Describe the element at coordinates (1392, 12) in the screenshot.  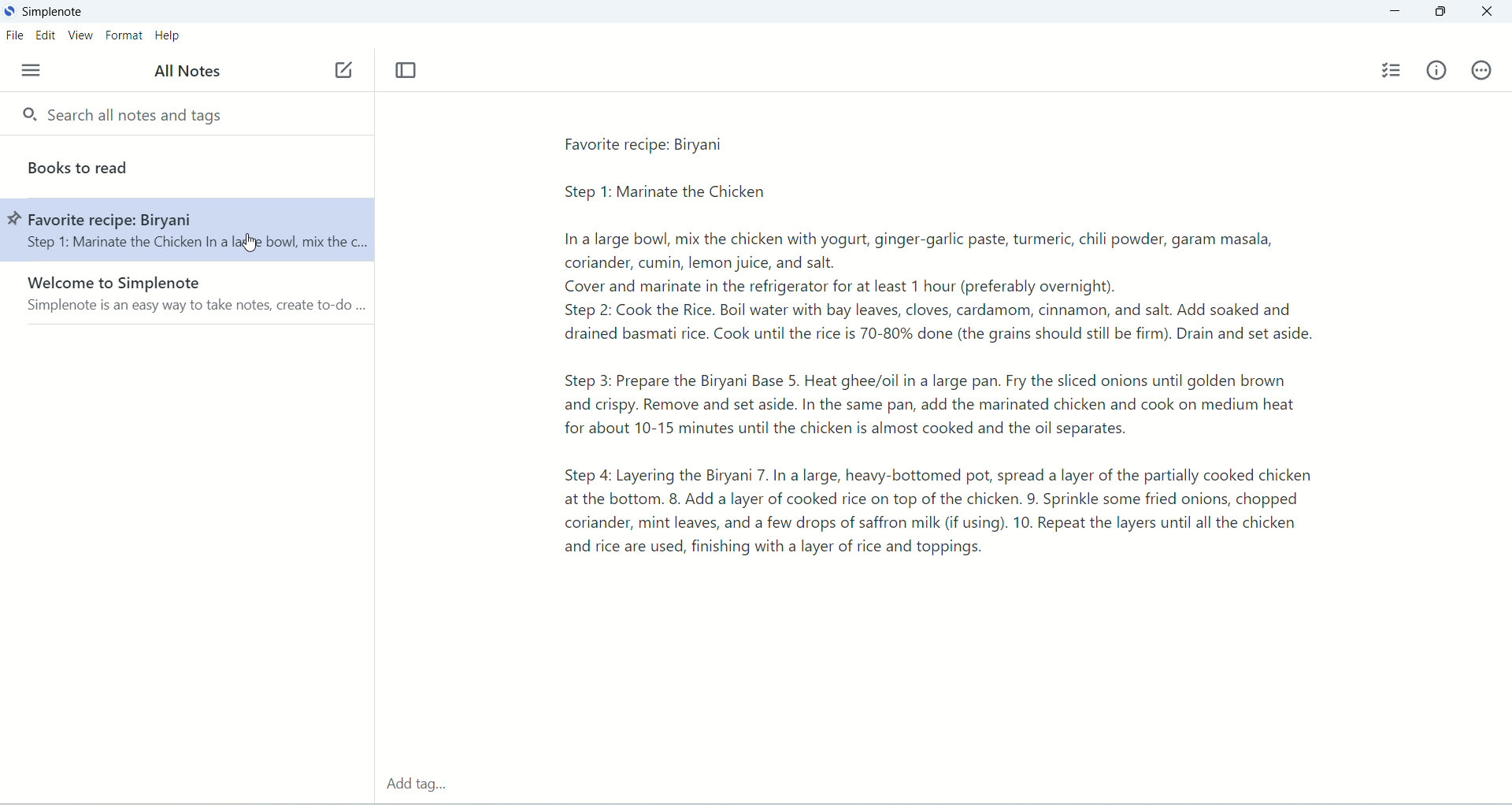
I see `minimize` at that location.